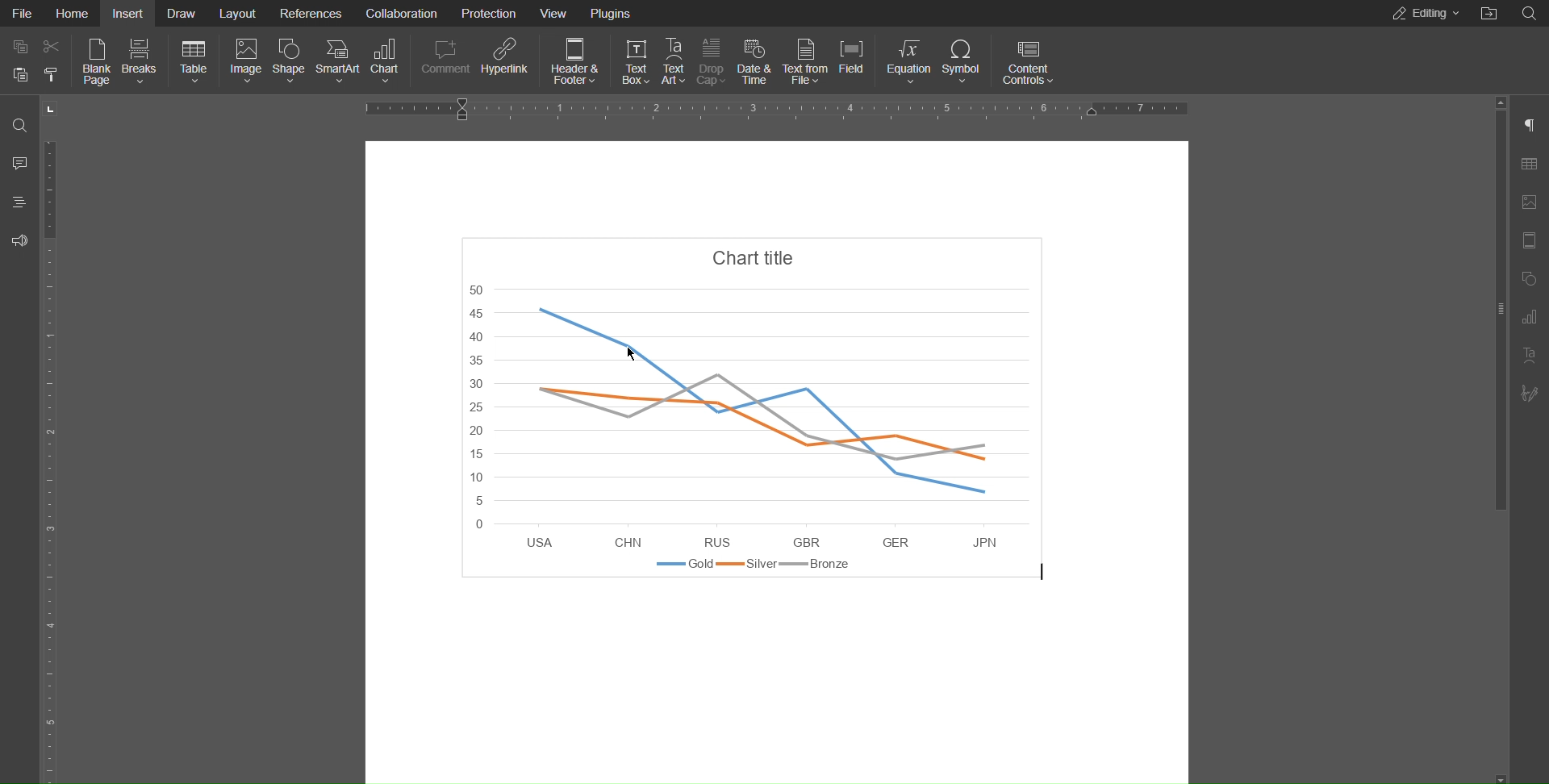 This screenshot has height=784, width=1549. What do you see at coordinates (1529, 355) in the screenshot?
I see `Text Art` at bounding box center [1529, 355].